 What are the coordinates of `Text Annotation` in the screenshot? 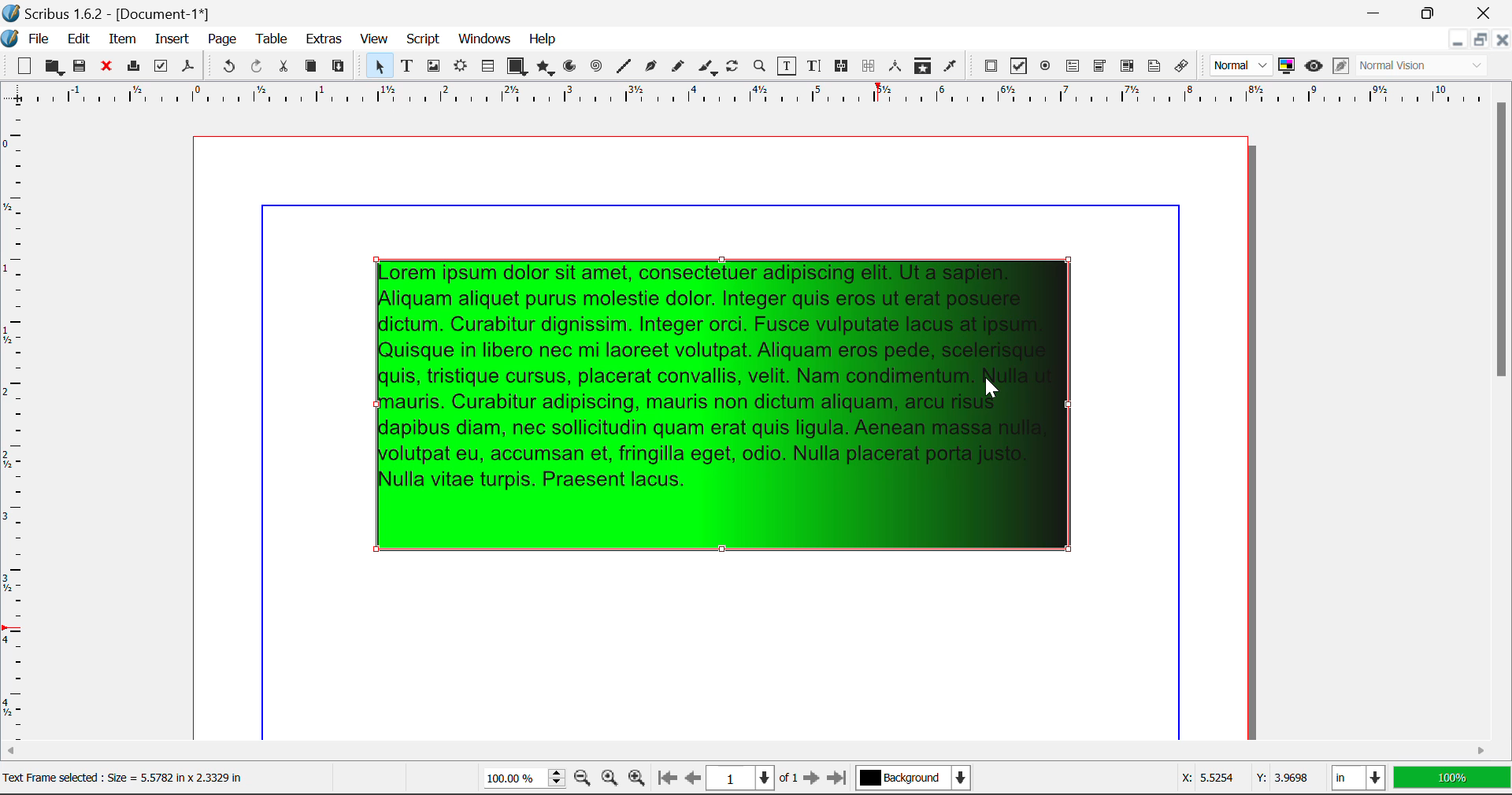 It's located at (1157, 67).